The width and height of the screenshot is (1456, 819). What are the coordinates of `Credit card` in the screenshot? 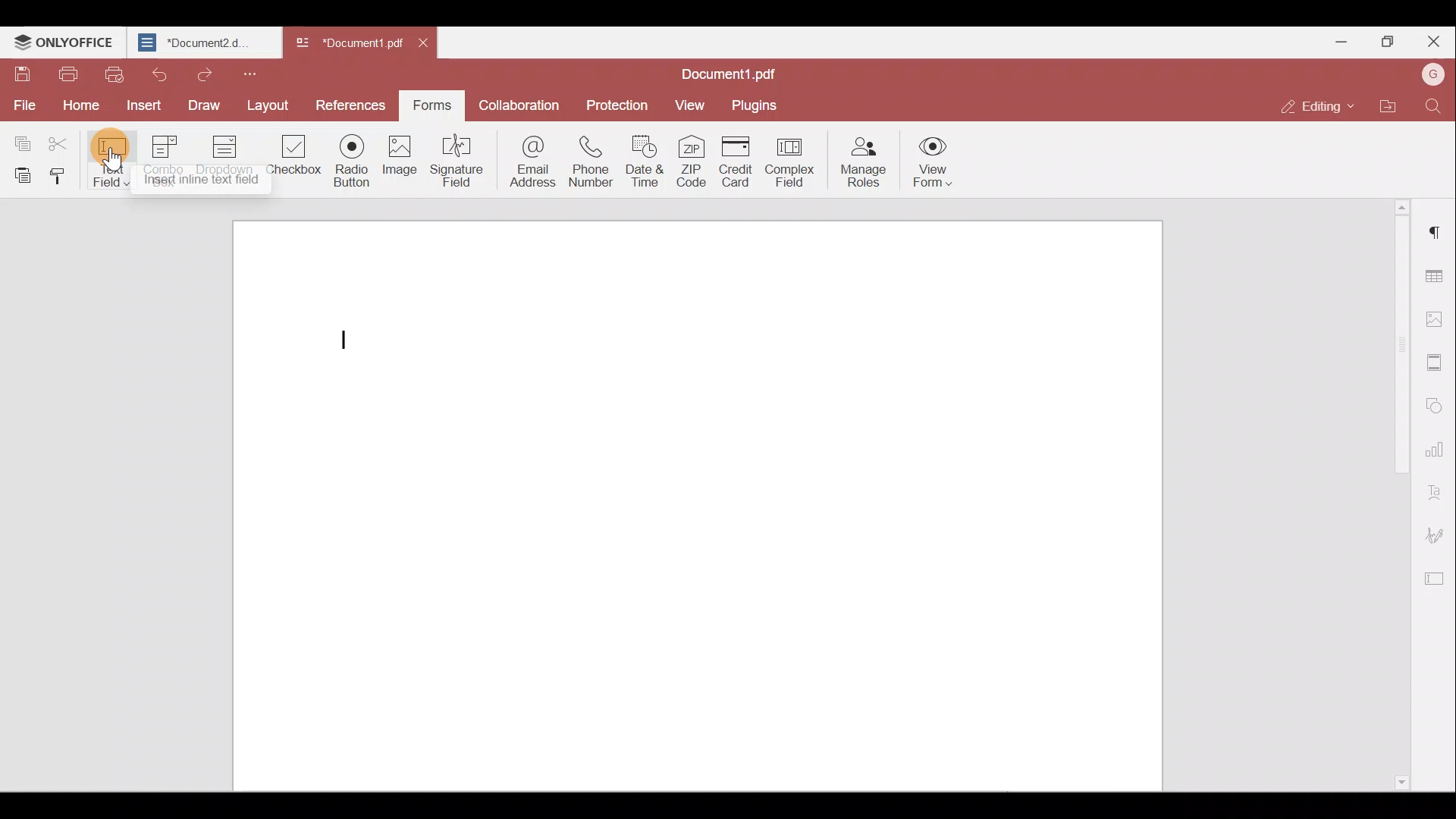 It's located at (737, 161).